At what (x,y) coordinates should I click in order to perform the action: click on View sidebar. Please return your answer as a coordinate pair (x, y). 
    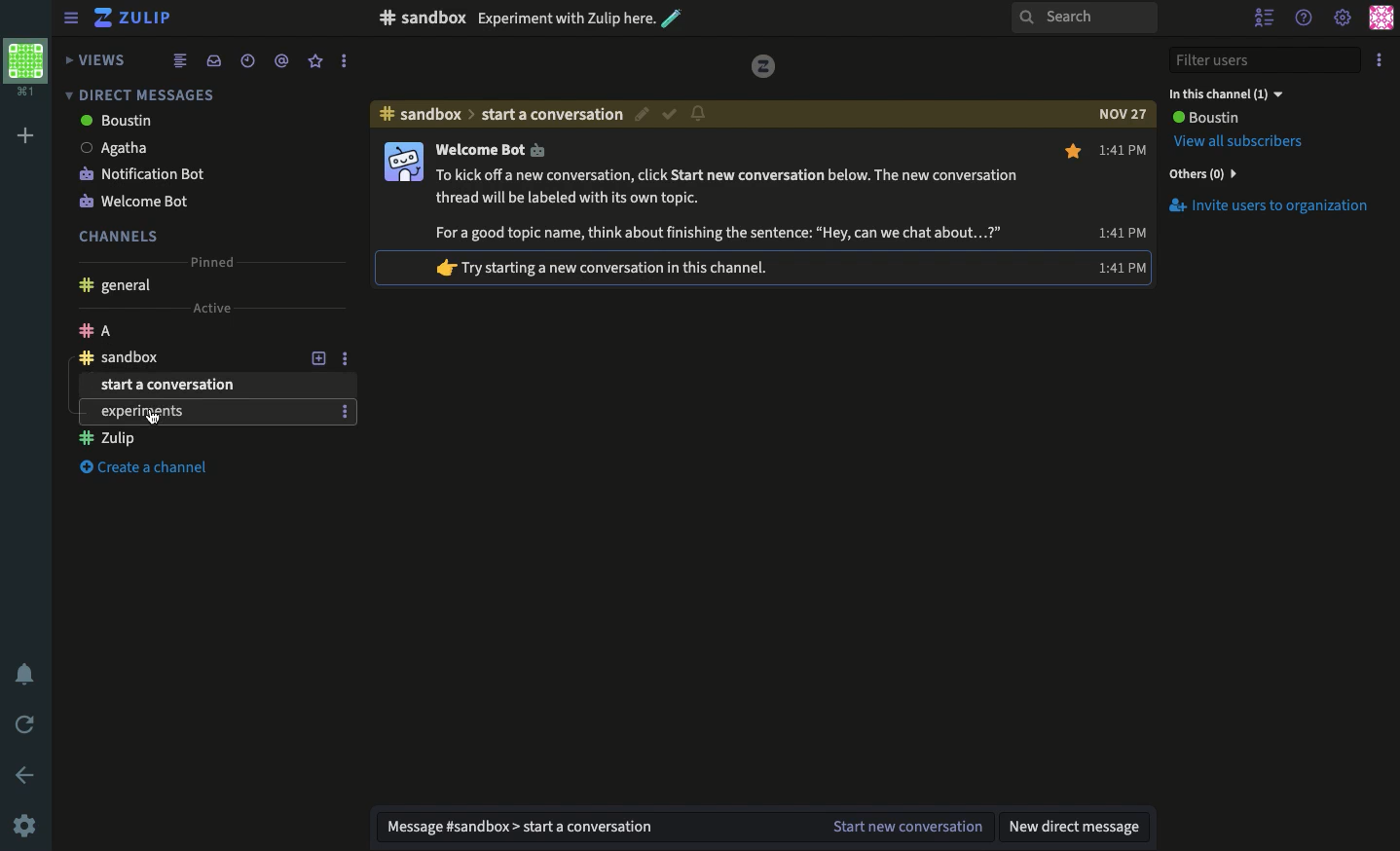
    Looking at the image, I should click on (72, 20).